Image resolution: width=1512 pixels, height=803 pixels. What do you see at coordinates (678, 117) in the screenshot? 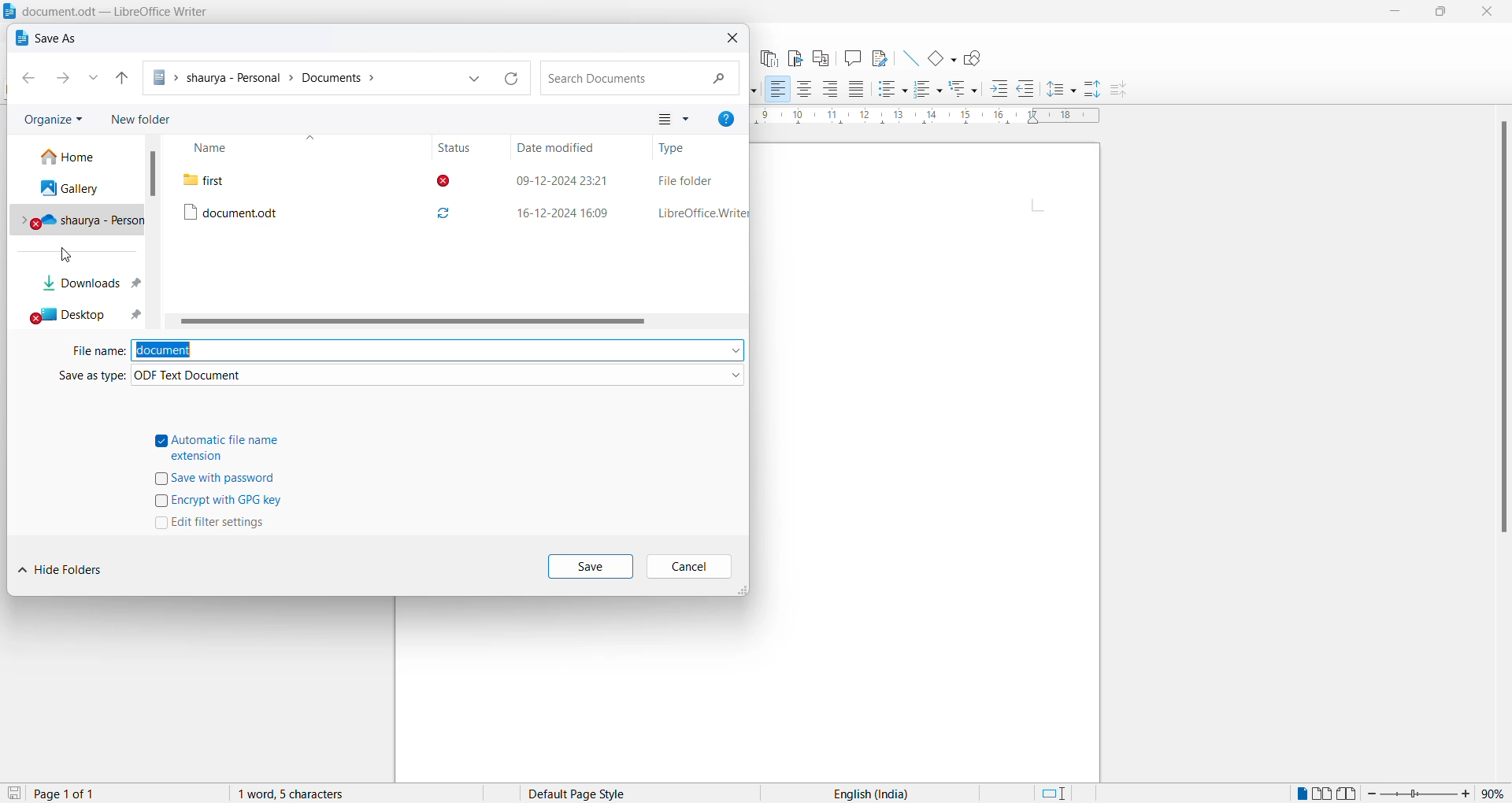
I see `Preview options` at bounding box center [678, 117].